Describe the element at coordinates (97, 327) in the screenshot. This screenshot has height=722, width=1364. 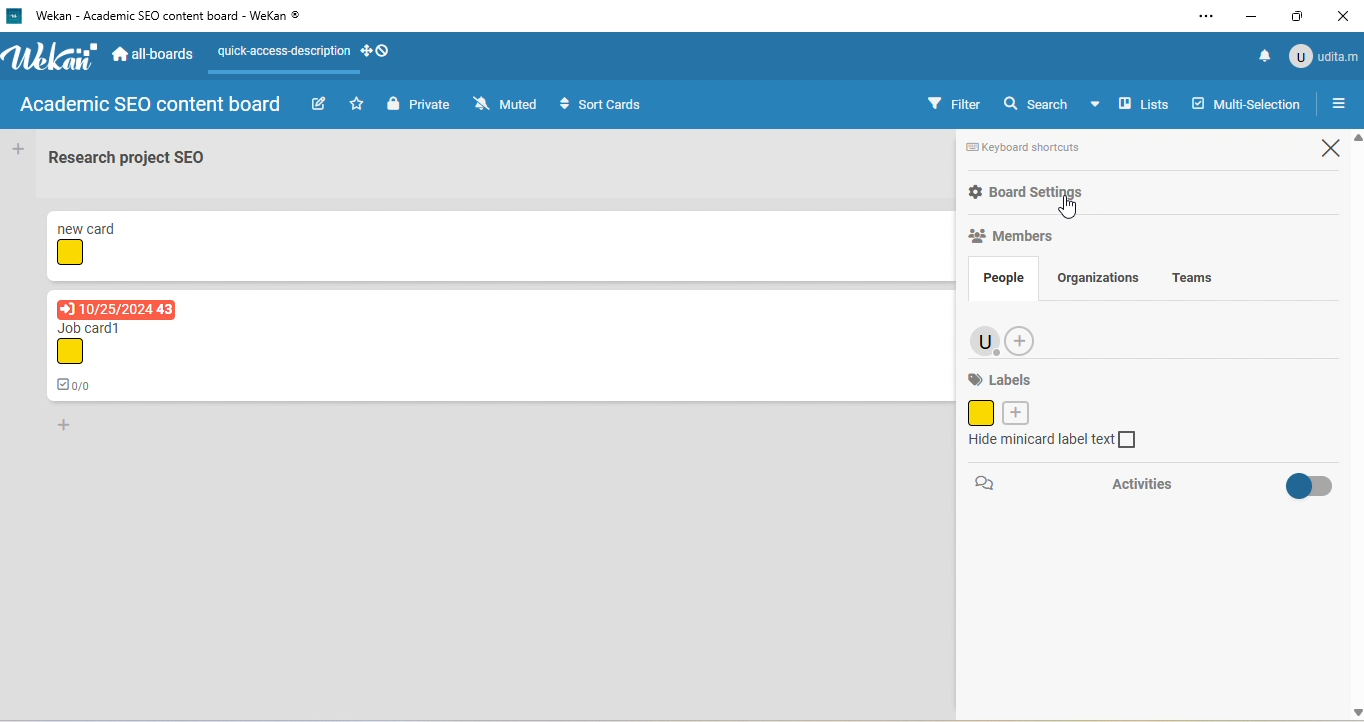
I see `Job card1` at that location.